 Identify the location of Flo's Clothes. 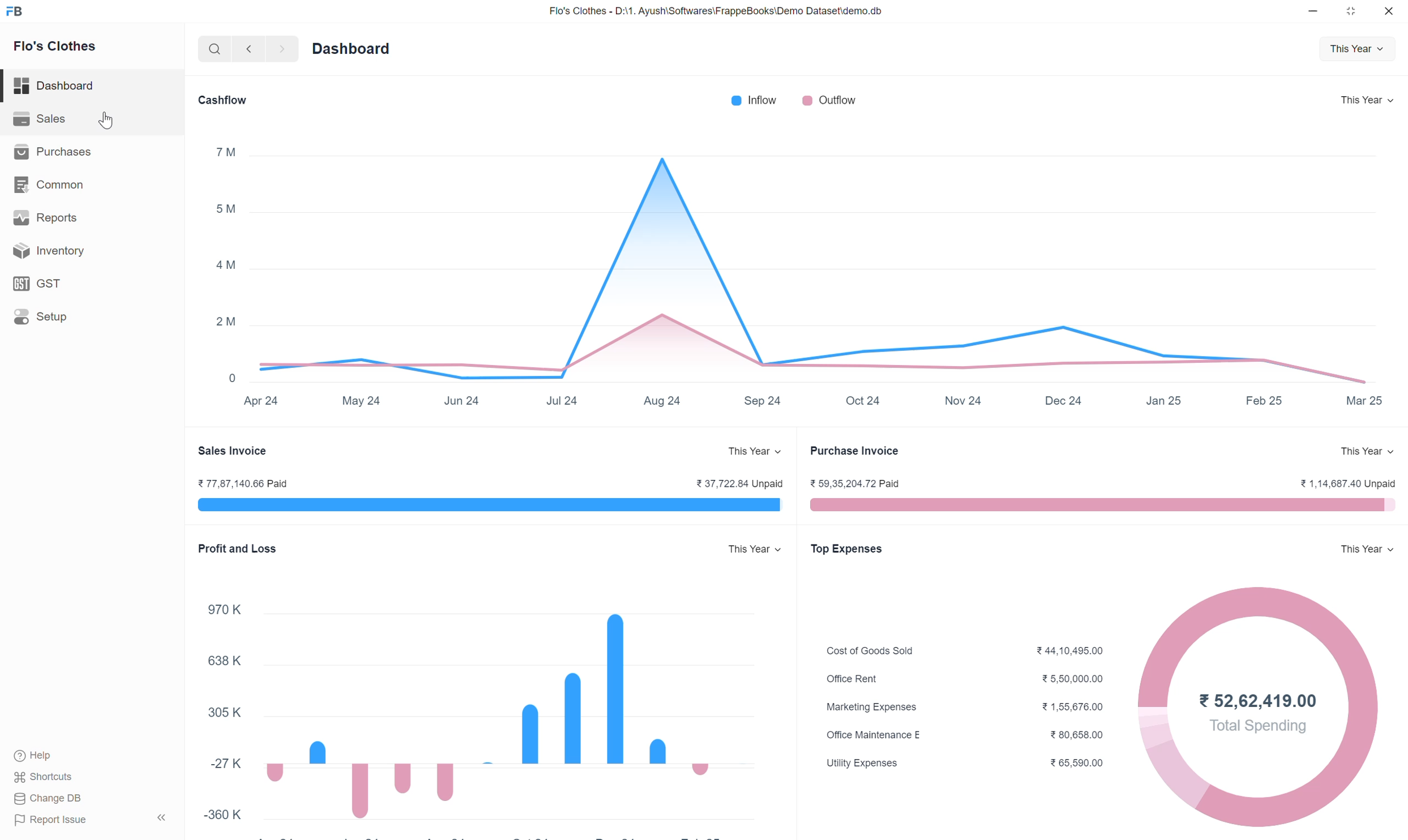
(61, 48).